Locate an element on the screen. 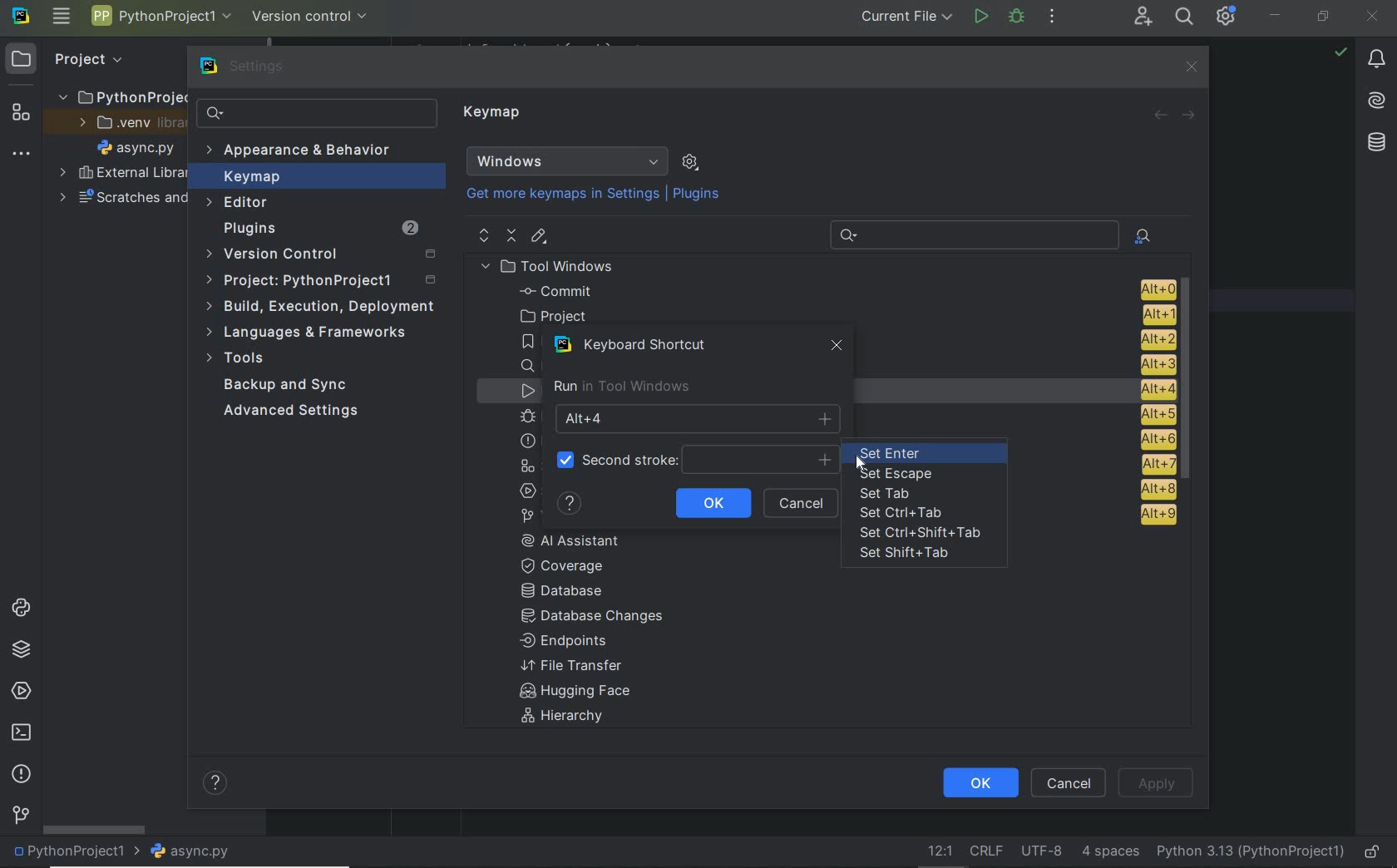 The image size is (1397, 868). forward is located at coordinates (1190, 114).